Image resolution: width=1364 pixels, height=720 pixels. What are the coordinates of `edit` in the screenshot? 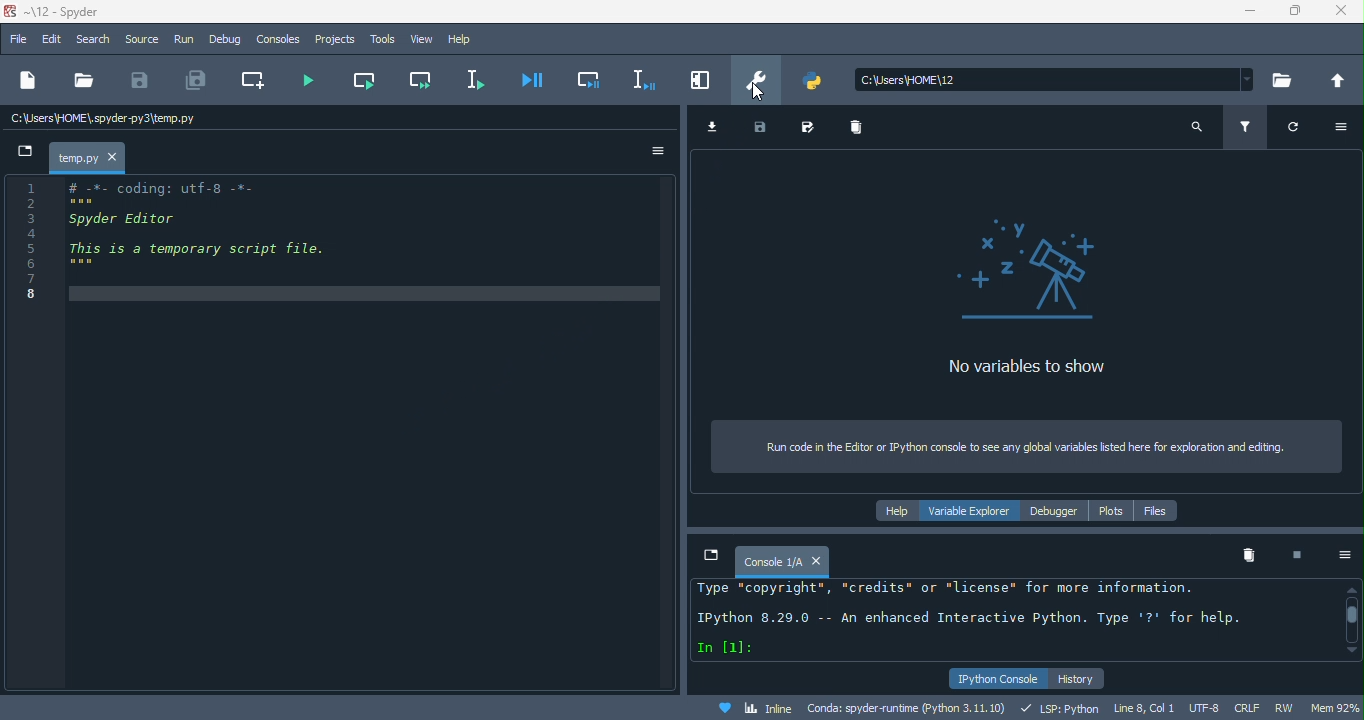 It's located at (54, 40).